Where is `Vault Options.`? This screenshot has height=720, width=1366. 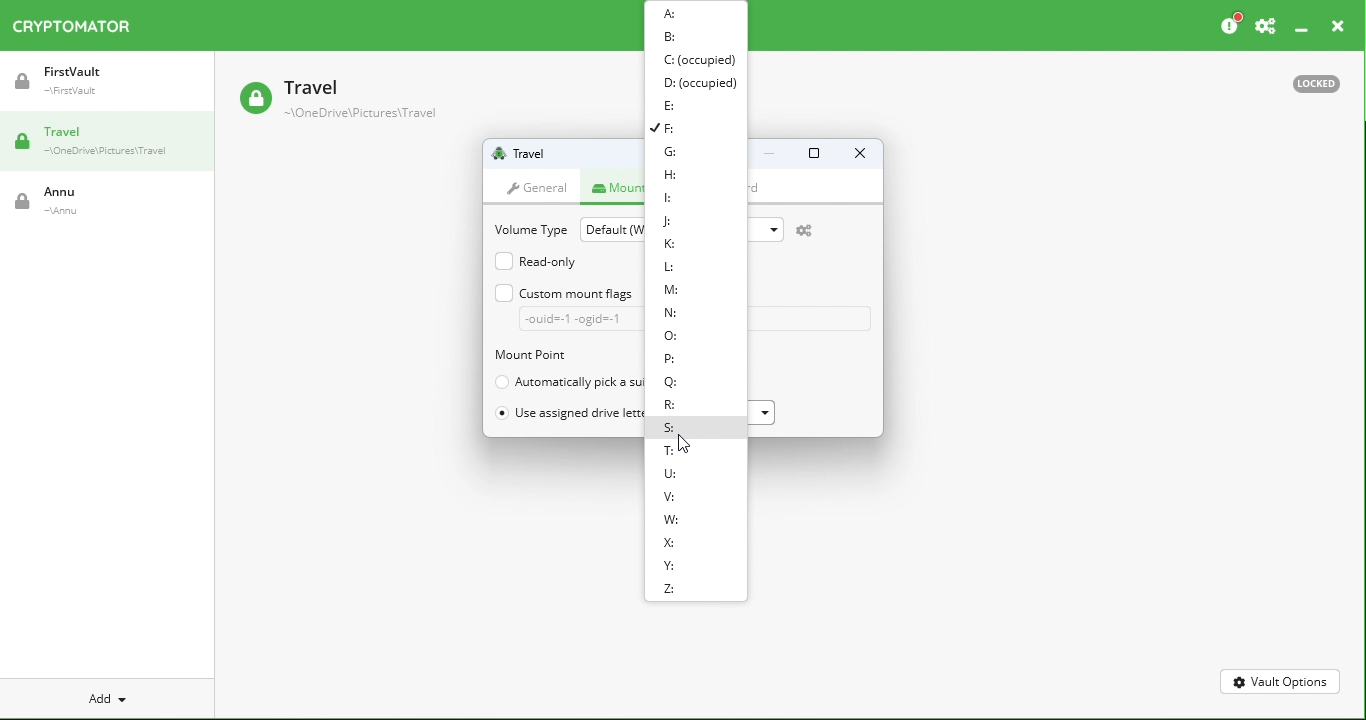
Vault Options. is located at coordinates (1281, 681).